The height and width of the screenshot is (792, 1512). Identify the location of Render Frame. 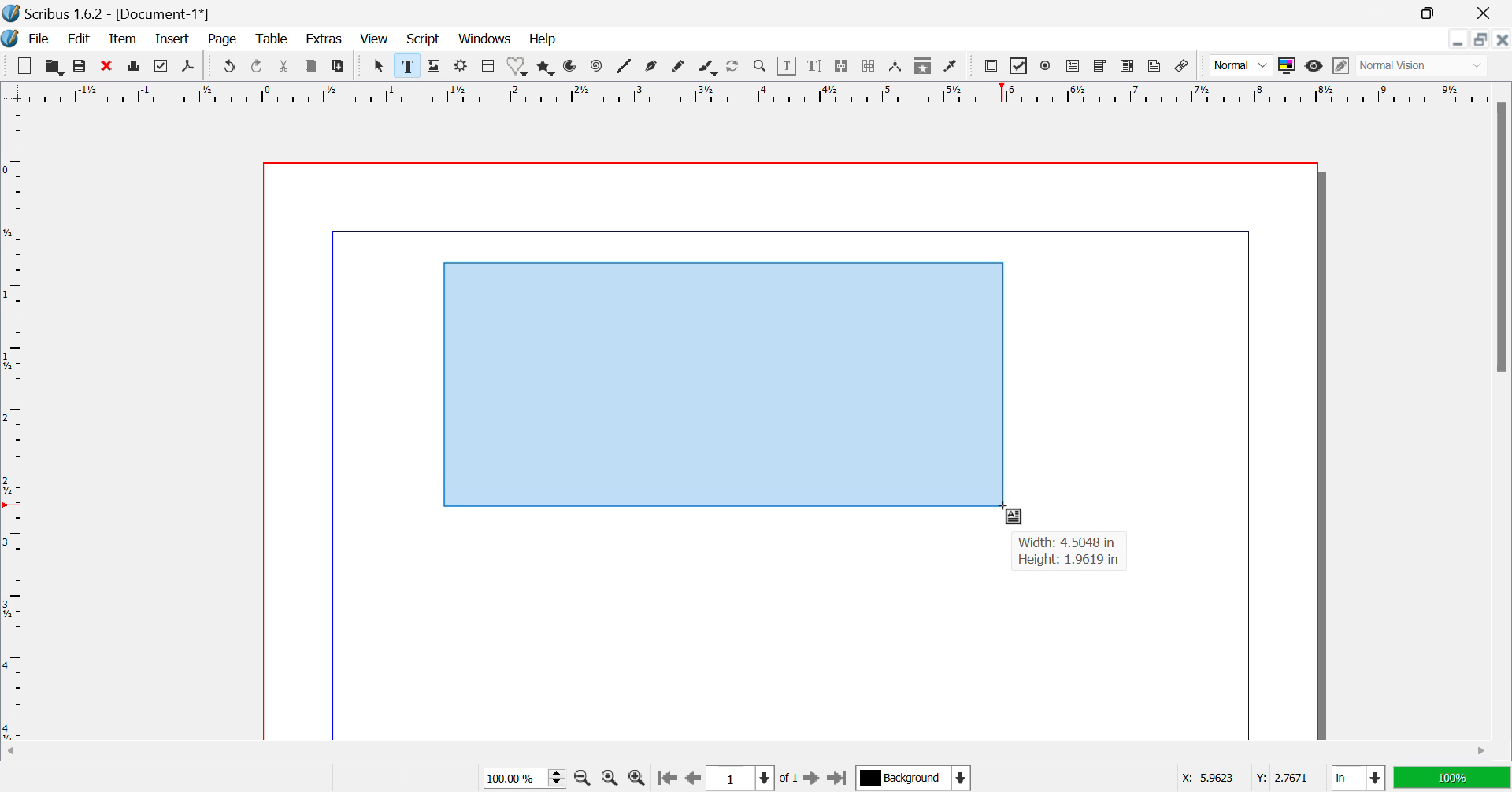
(463, 66).